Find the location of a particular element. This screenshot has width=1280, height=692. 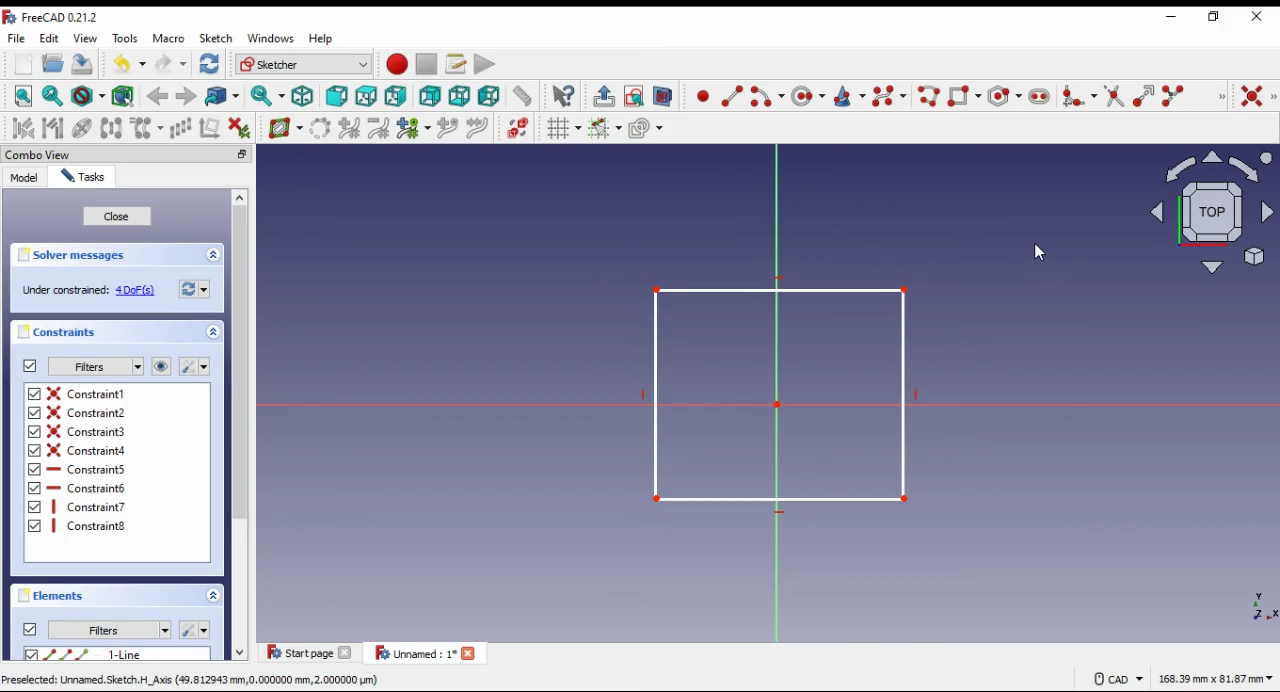

fit selection is located at coordinates (53, 96).